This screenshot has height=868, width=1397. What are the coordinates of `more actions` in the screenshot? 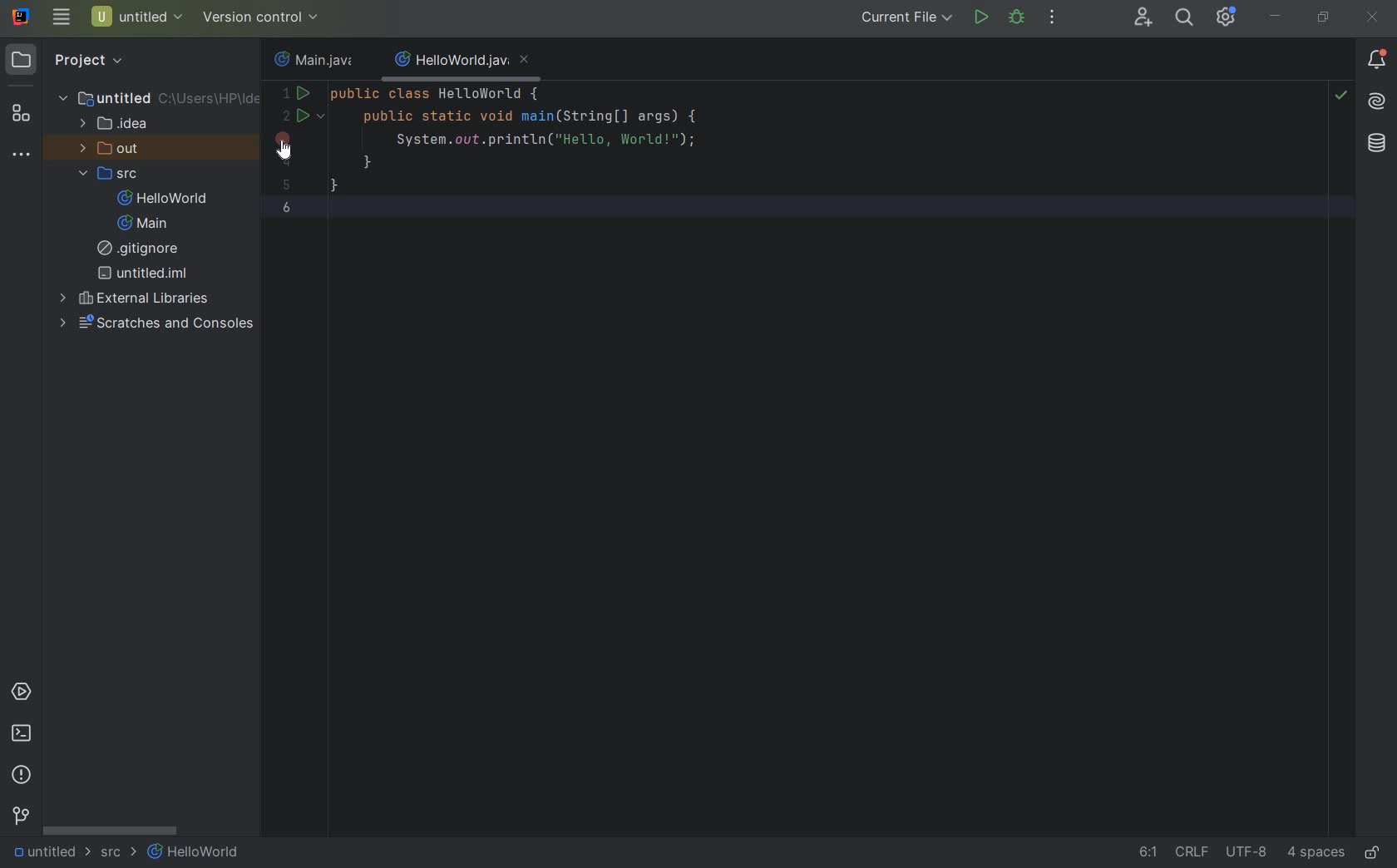 It's located at (1053, 18).